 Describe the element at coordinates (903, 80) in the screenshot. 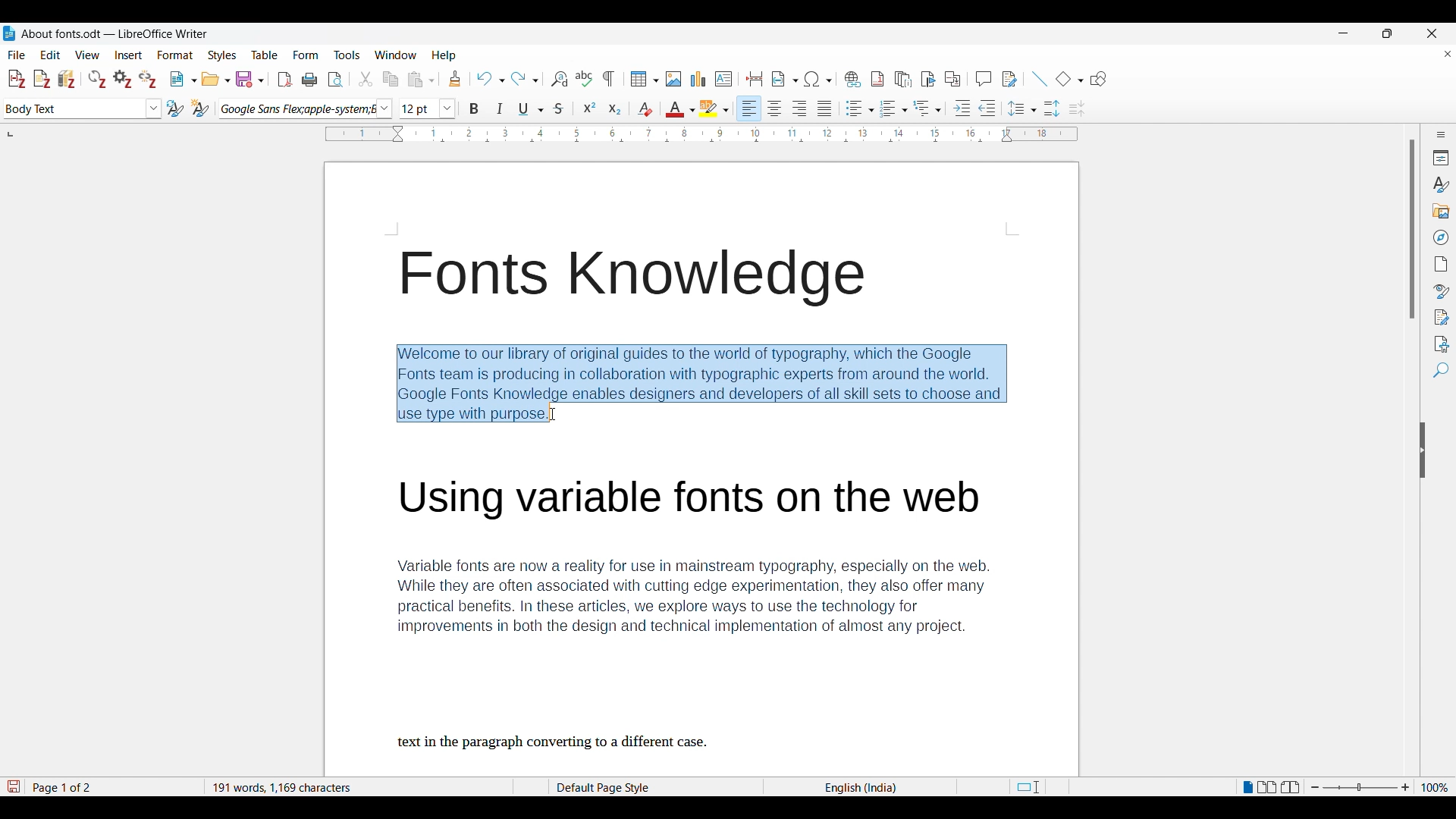

I see `Insert endnote` at that location.